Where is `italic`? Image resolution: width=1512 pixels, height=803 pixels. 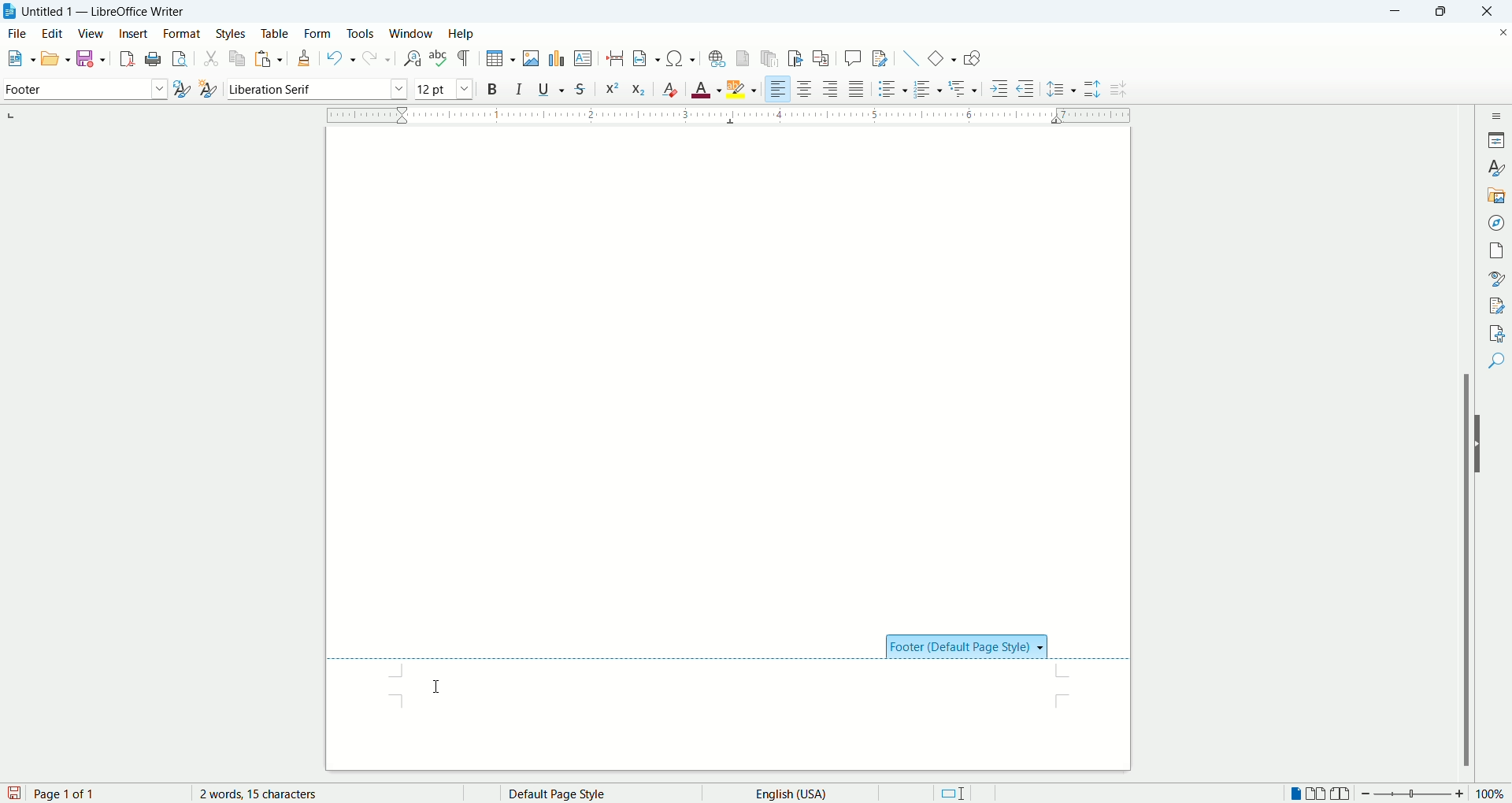
italic is located at coordinates (520, 88).